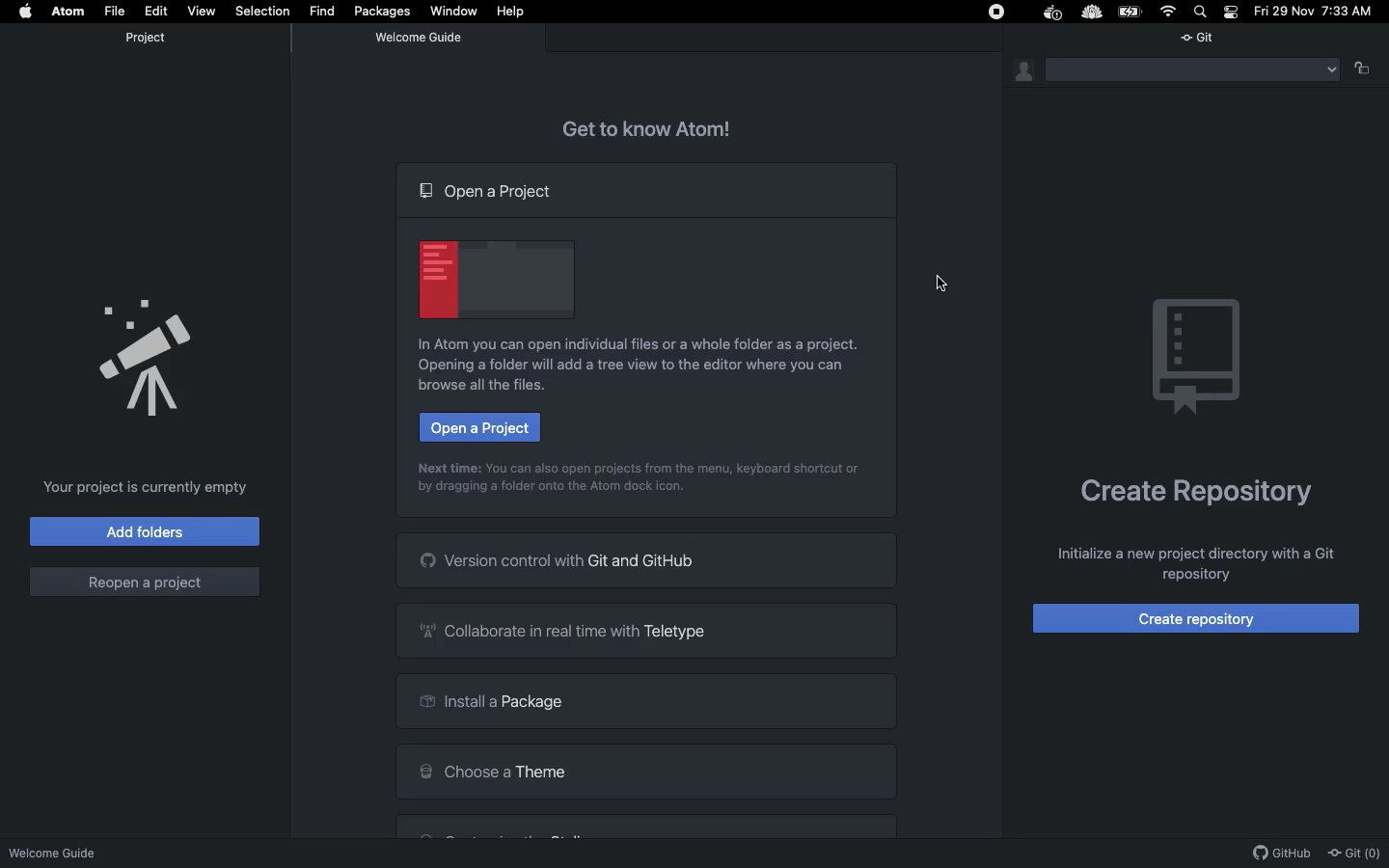 The image size is (1389, 868). Describe the element at coordinates (491, 195) in the screenshot. I see `Open a project ` at that location.